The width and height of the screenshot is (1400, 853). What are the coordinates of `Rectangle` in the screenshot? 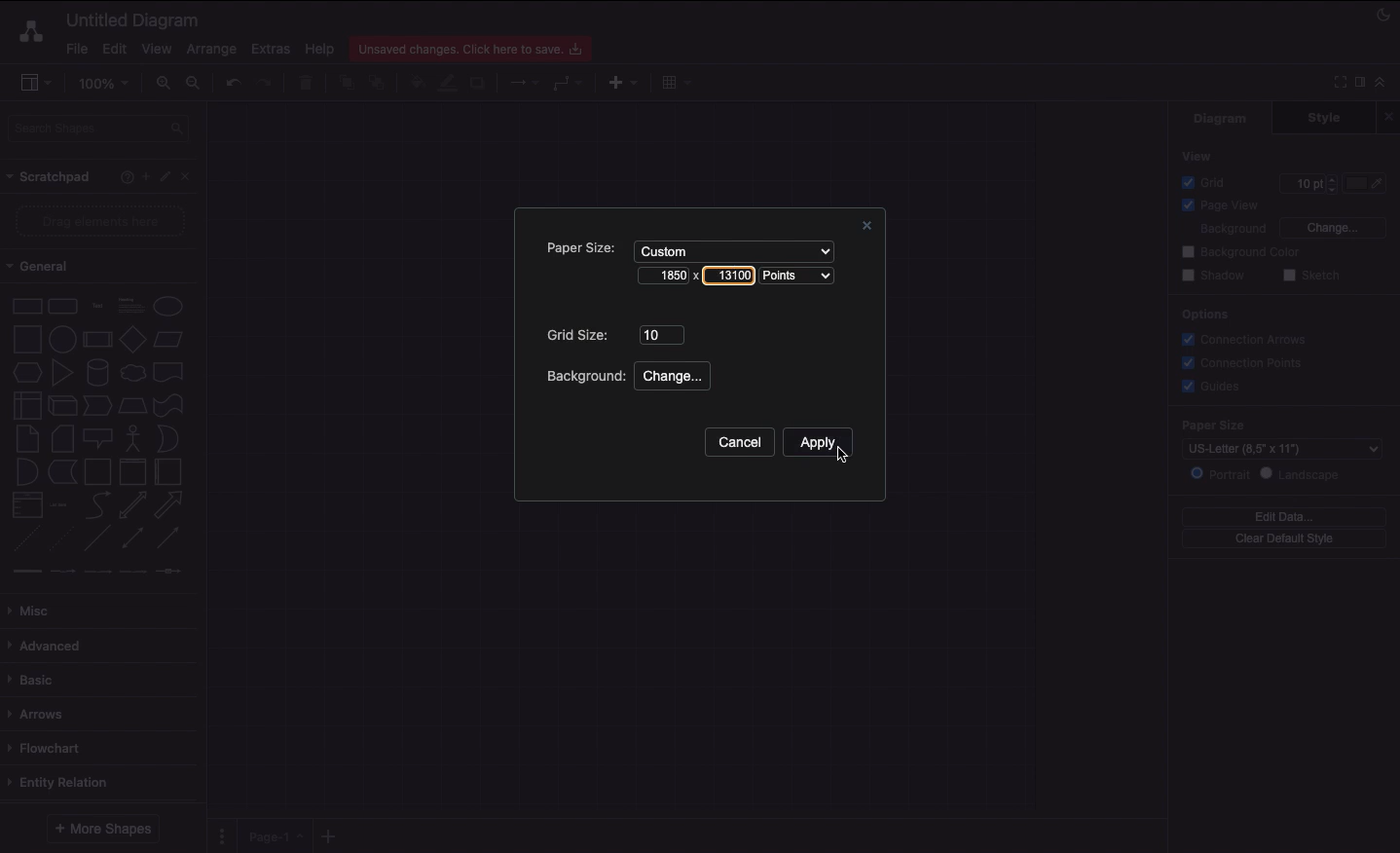 It's located at (25, 305).